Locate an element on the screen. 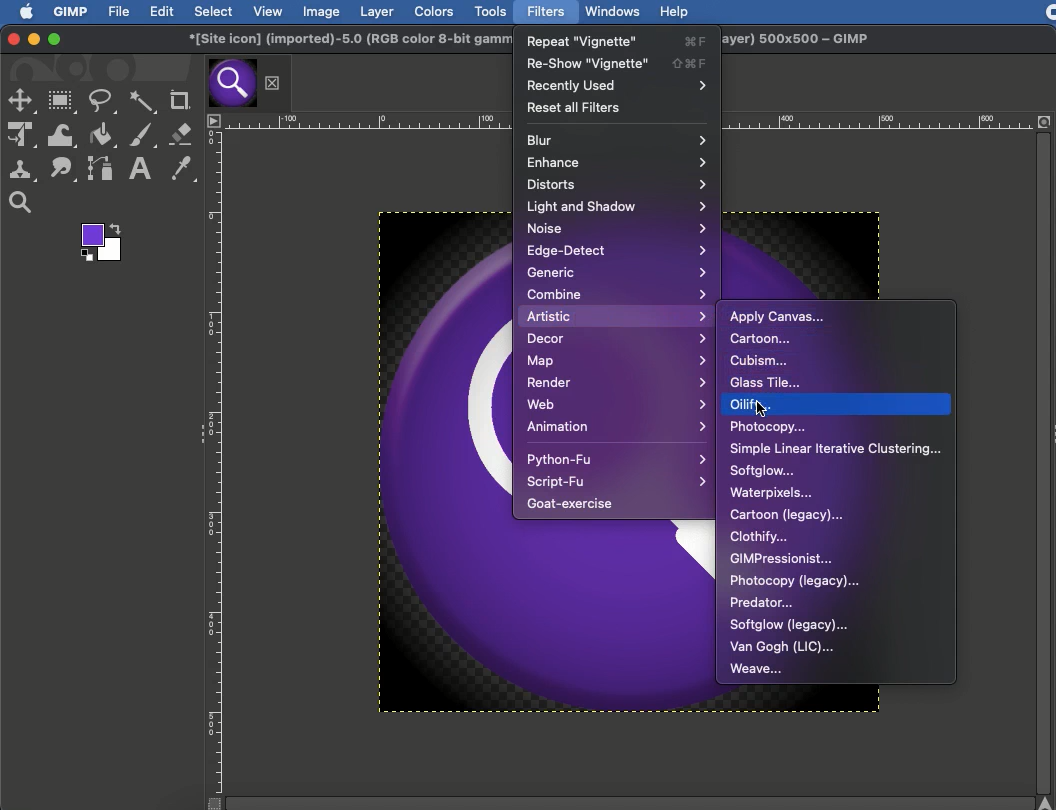 Image resolution: width=1056 pixels, height=810 pixels. Paint is located at coordinates (144, 135).